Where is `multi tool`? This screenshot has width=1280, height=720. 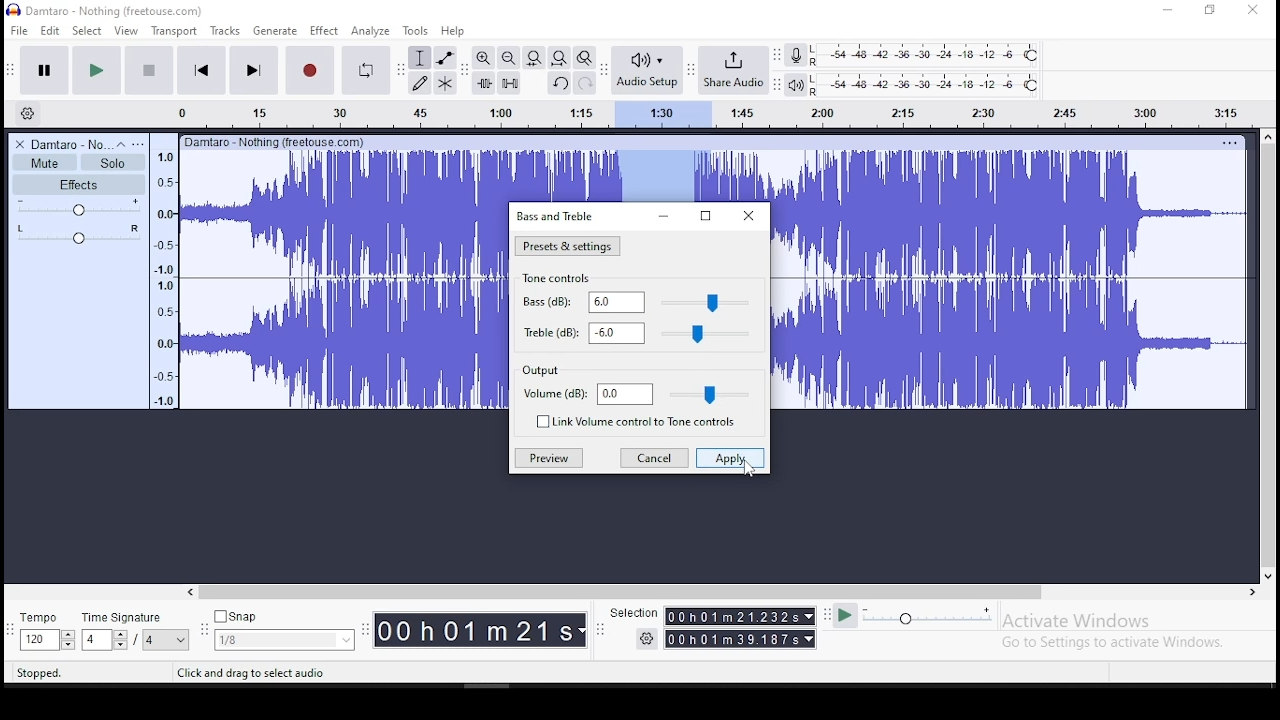 multi tool is located at coordinates (445, 82).